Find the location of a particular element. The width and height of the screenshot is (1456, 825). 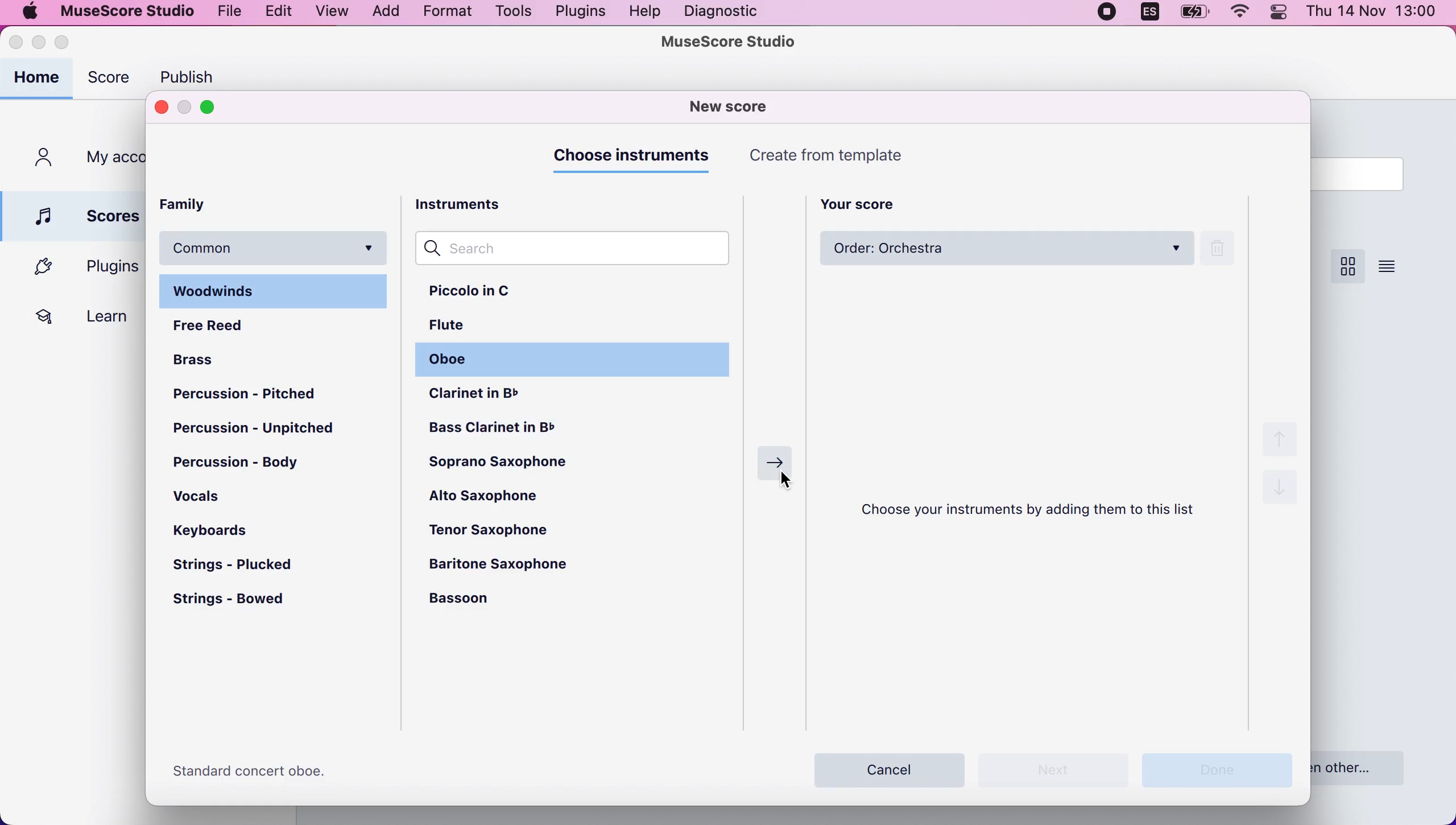

tenor saxophone is located at coordinates (506, 529).